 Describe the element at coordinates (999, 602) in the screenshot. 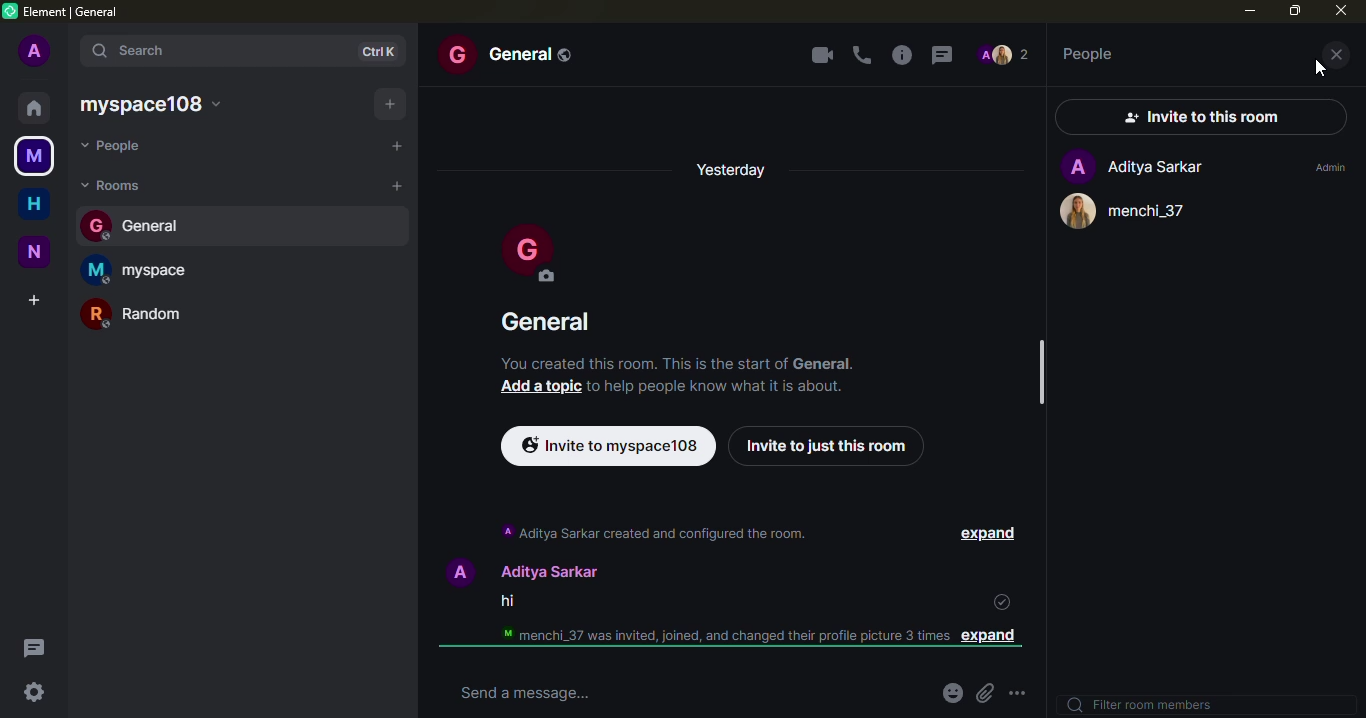

I see `seen` at that location.